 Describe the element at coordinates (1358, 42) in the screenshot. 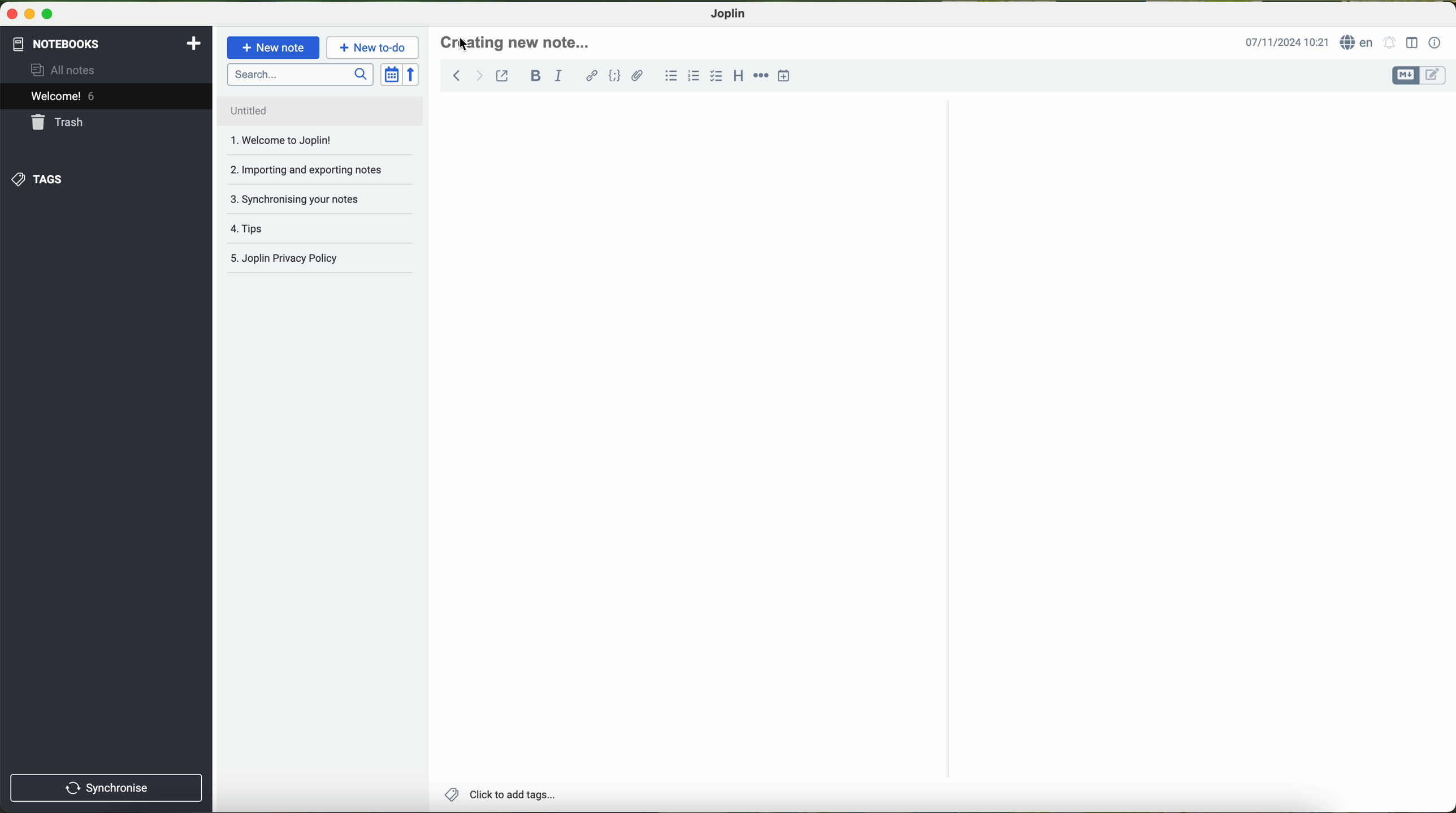

I see `language` at that location.